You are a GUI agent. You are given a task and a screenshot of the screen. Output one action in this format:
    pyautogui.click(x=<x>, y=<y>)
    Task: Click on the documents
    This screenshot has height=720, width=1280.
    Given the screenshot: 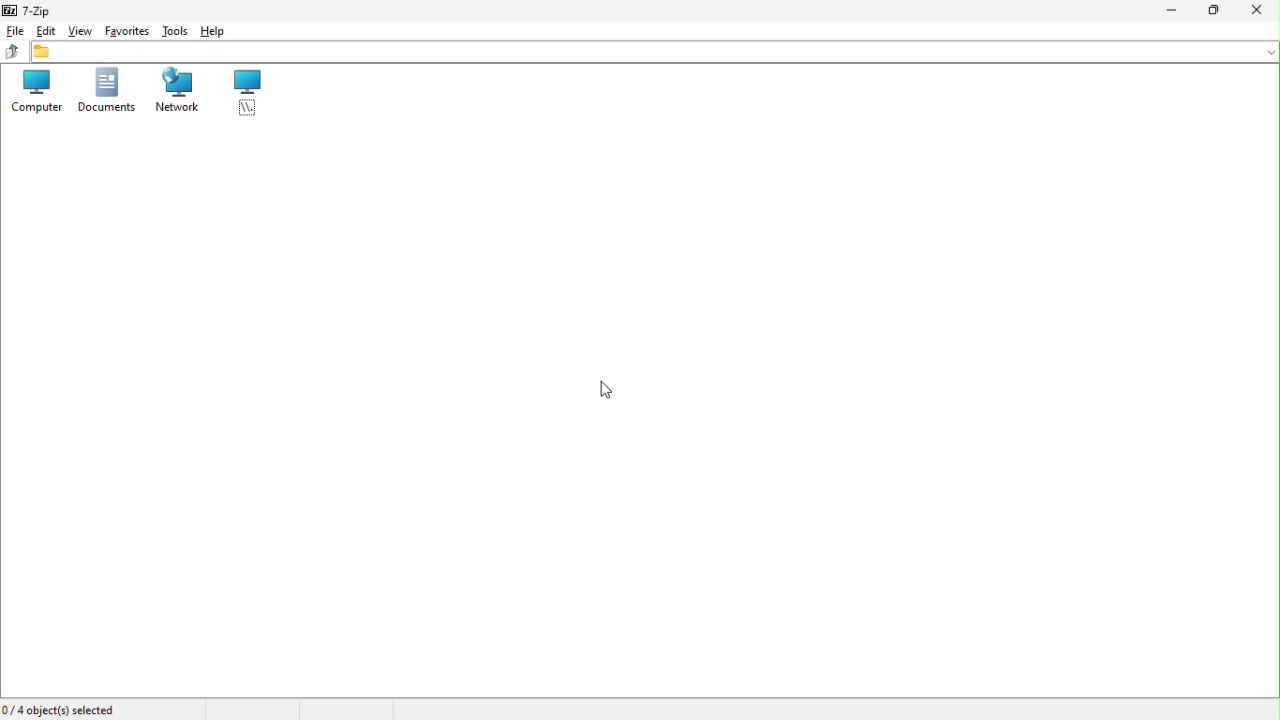 What is the action you would take?
    pyautogui.click(x=102, y=96)
    